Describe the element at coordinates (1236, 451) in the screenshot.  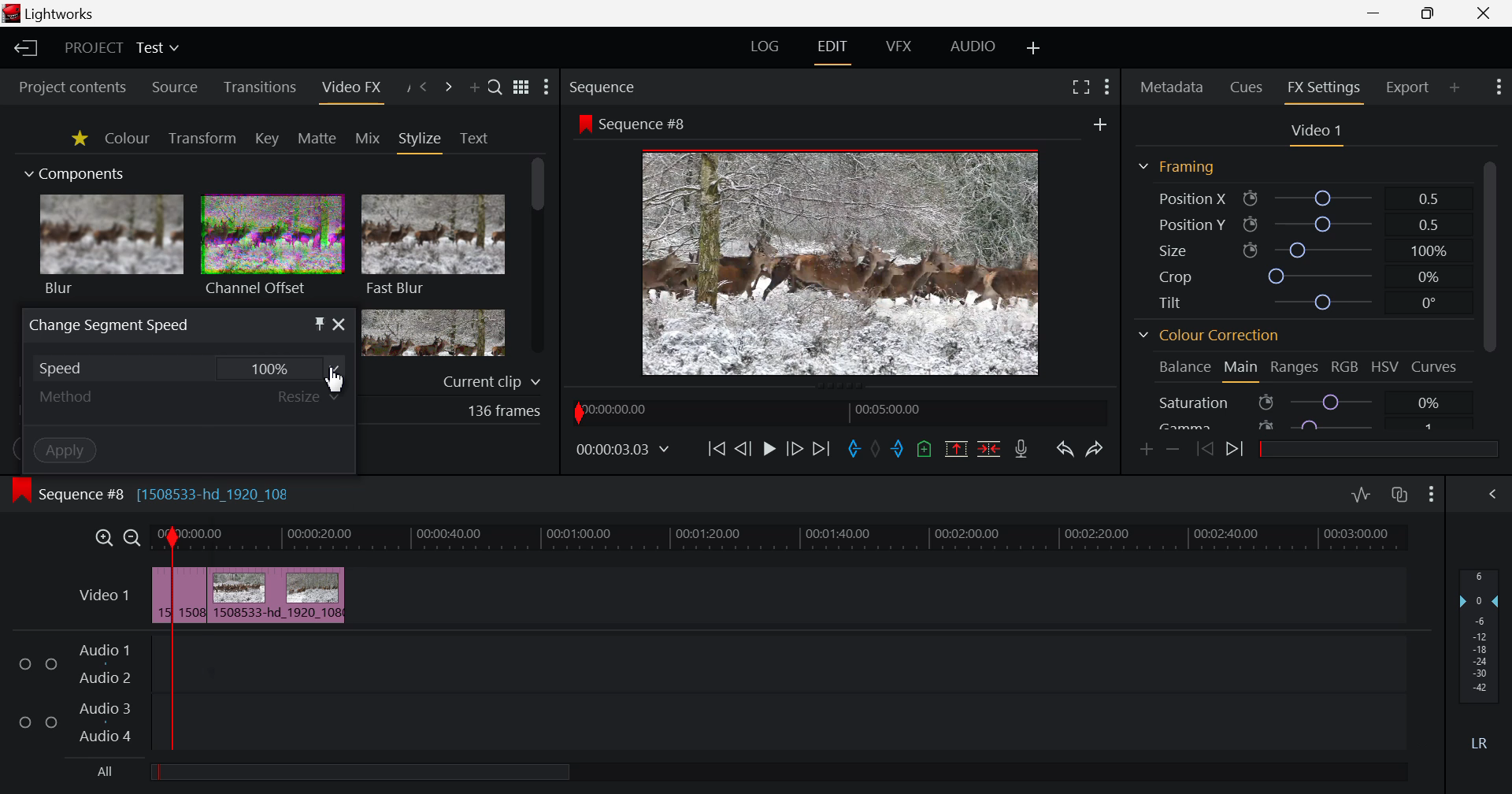
I see `Next keyframe` at that location.